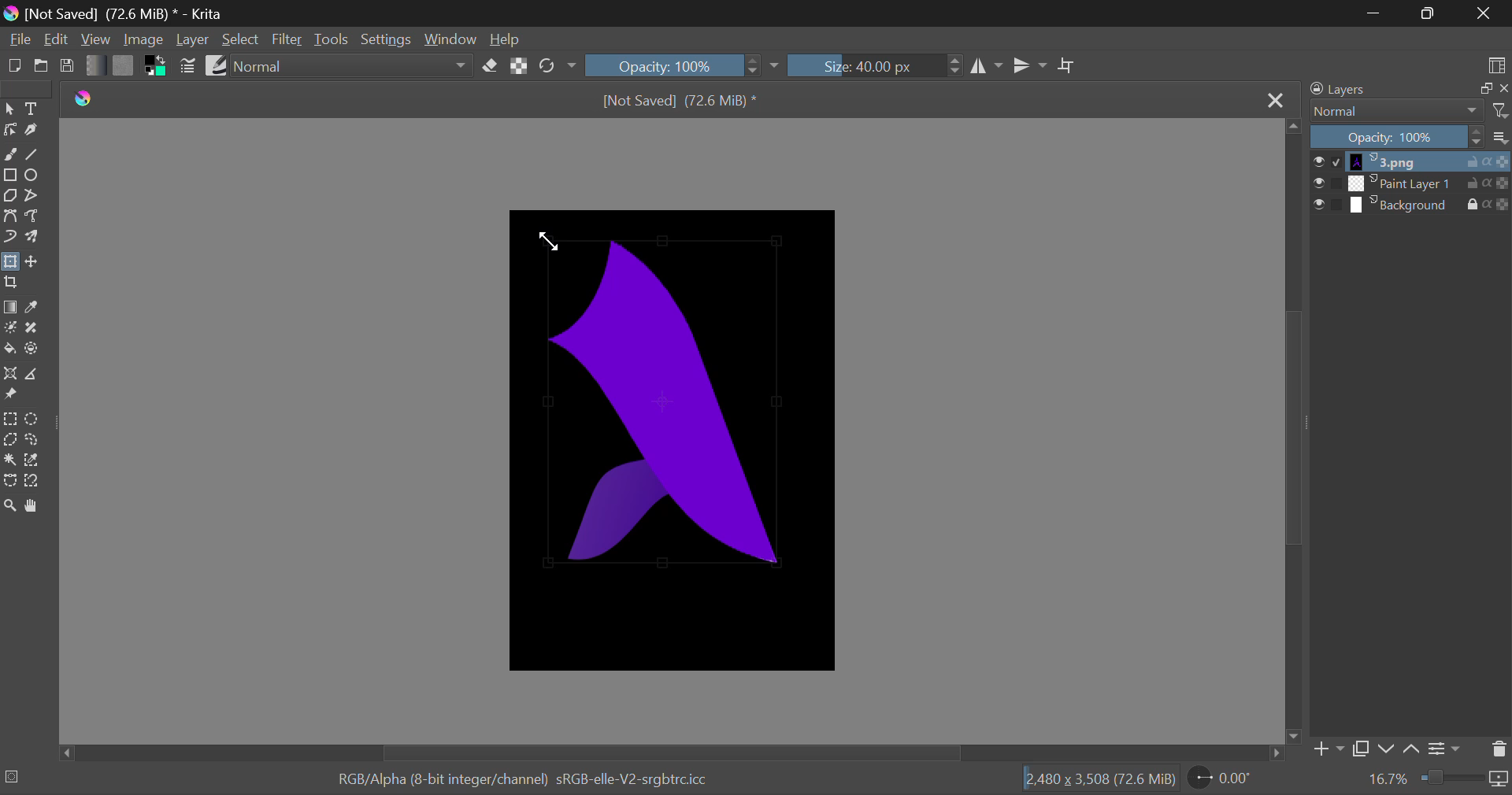 Image resolution: width=1512 pixels, height=795 pixels. I want to click on Crop, so click(1069, 67).